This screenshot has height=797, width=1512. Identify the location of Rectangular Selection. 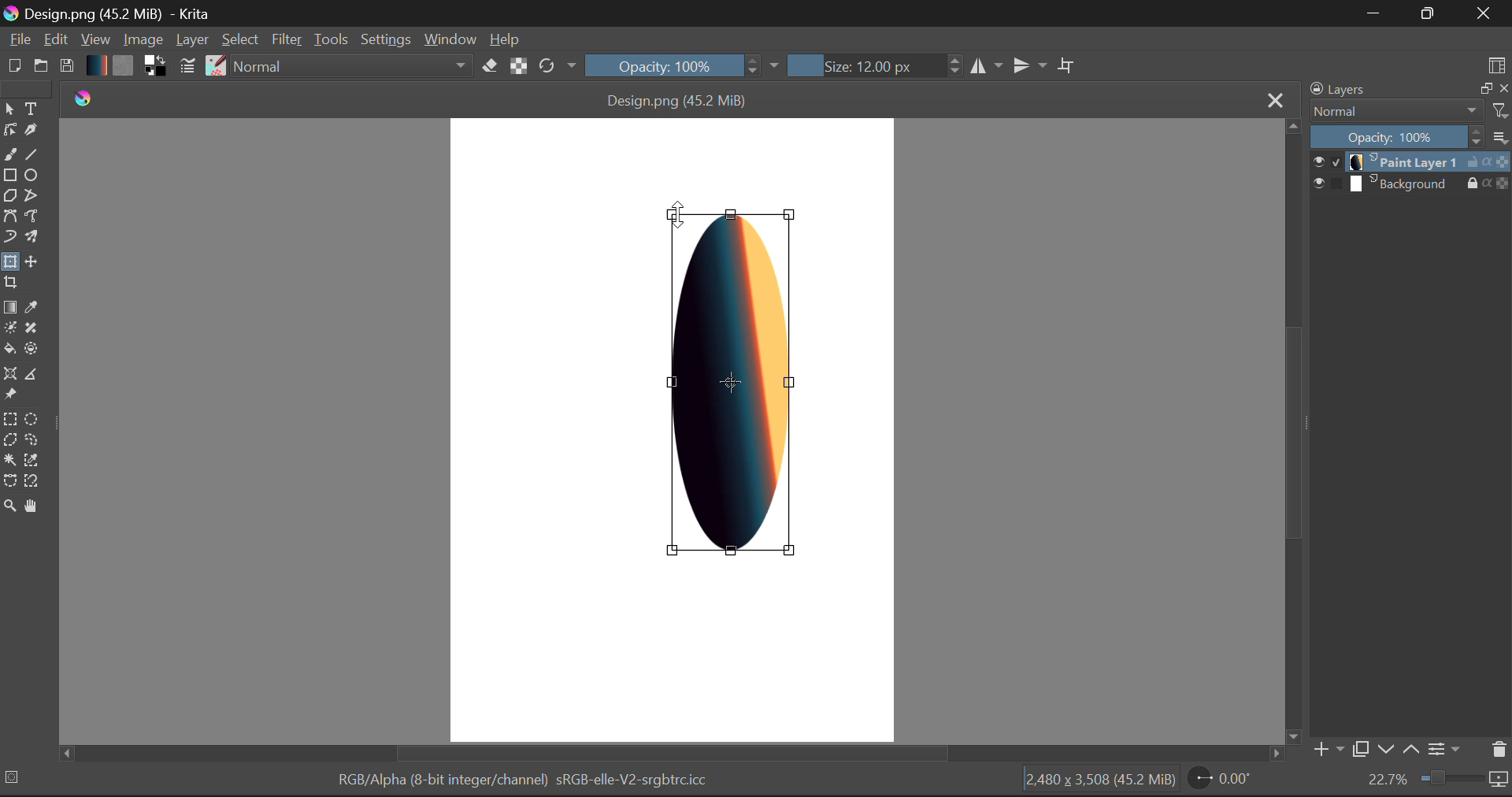
(9, 418).